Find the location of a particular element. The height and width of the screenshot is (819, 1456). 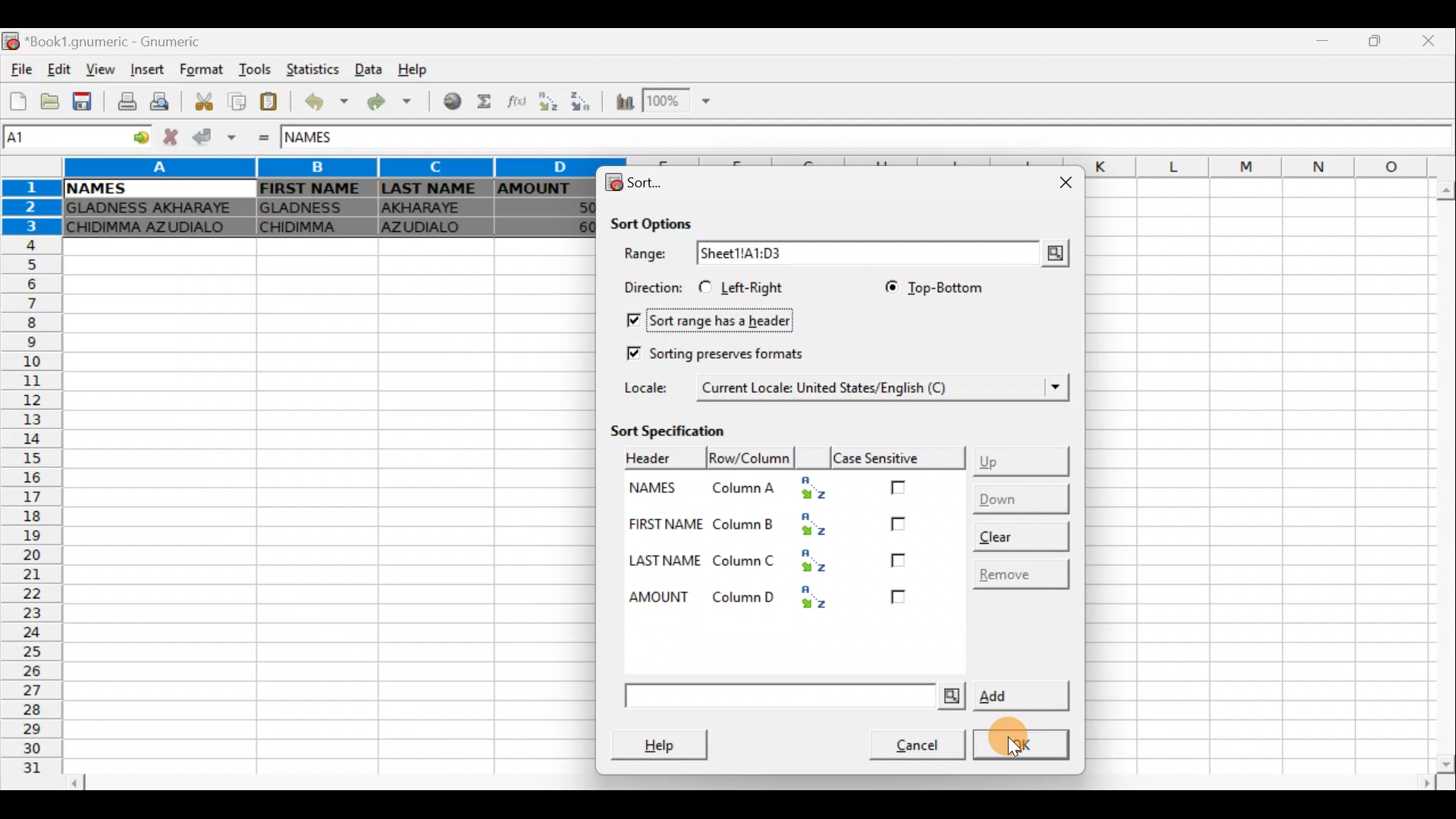

View is located at coordinates (96, 70).